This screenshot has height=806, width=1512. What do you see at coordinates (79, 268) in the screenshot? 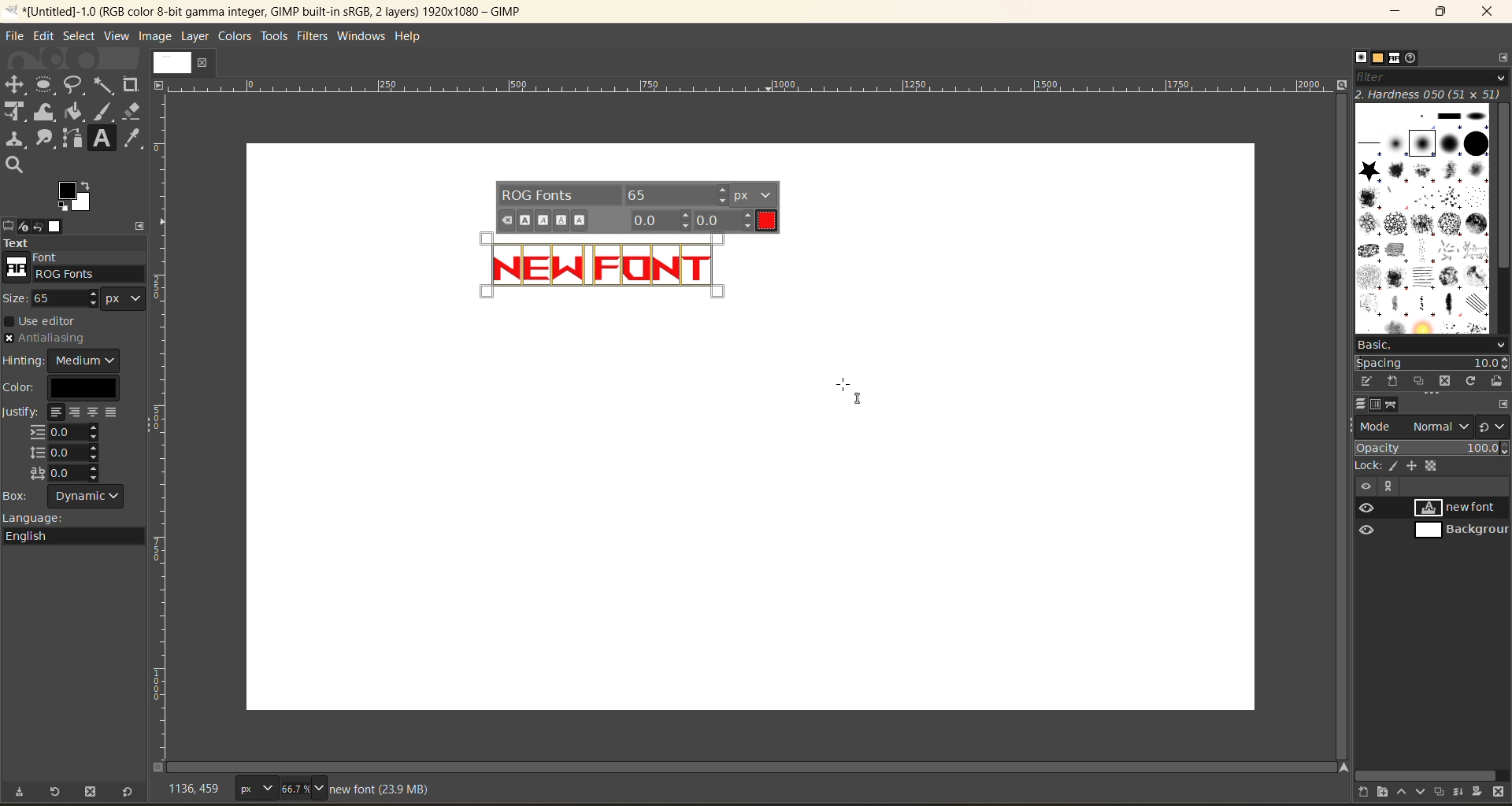
I see `font` at bounding box center [79, 268].